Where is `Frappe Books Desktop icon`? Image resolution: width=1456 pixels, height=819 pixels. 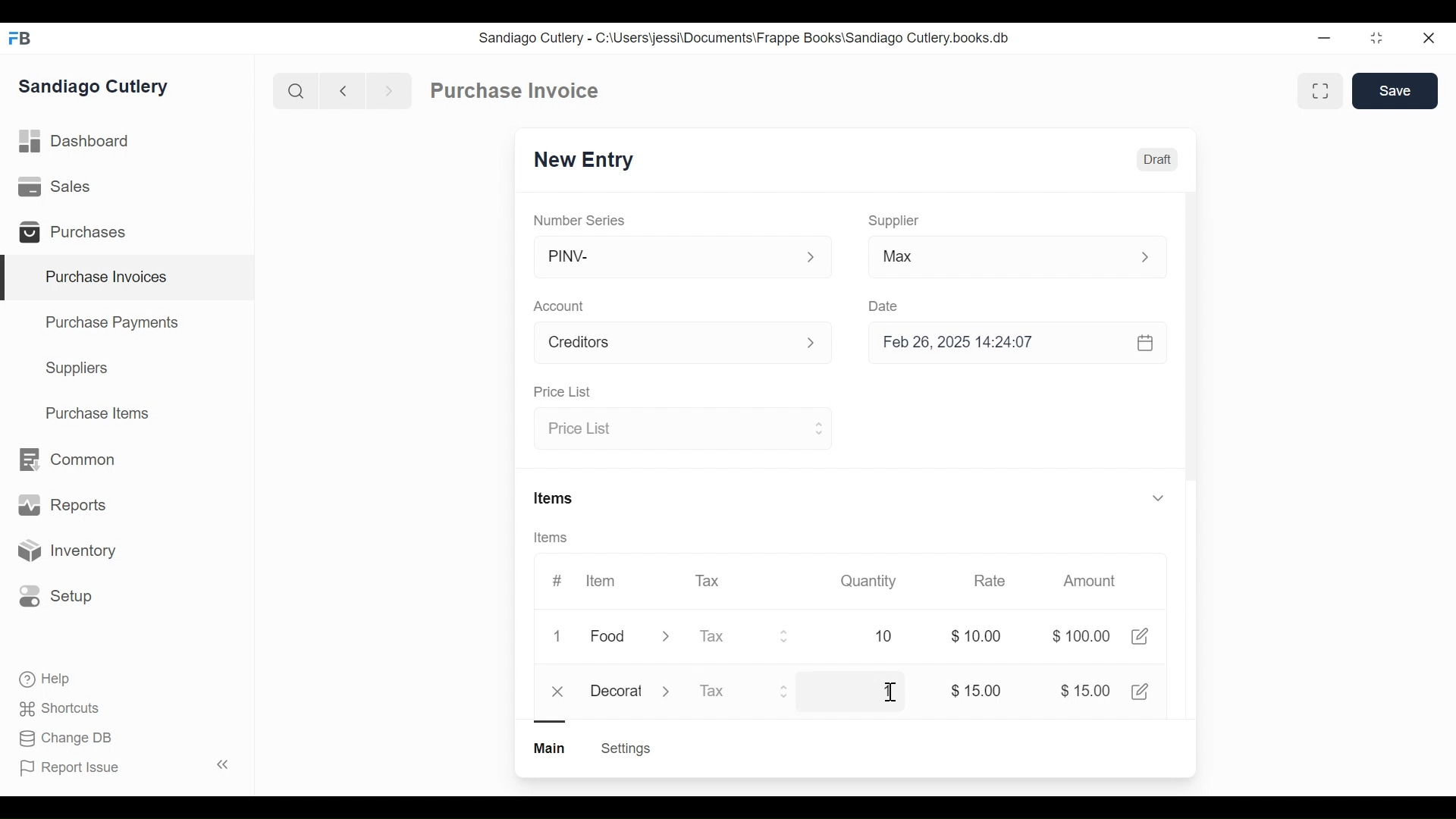 Frappe Books Desktop icon is located at coordinates (25, 39).